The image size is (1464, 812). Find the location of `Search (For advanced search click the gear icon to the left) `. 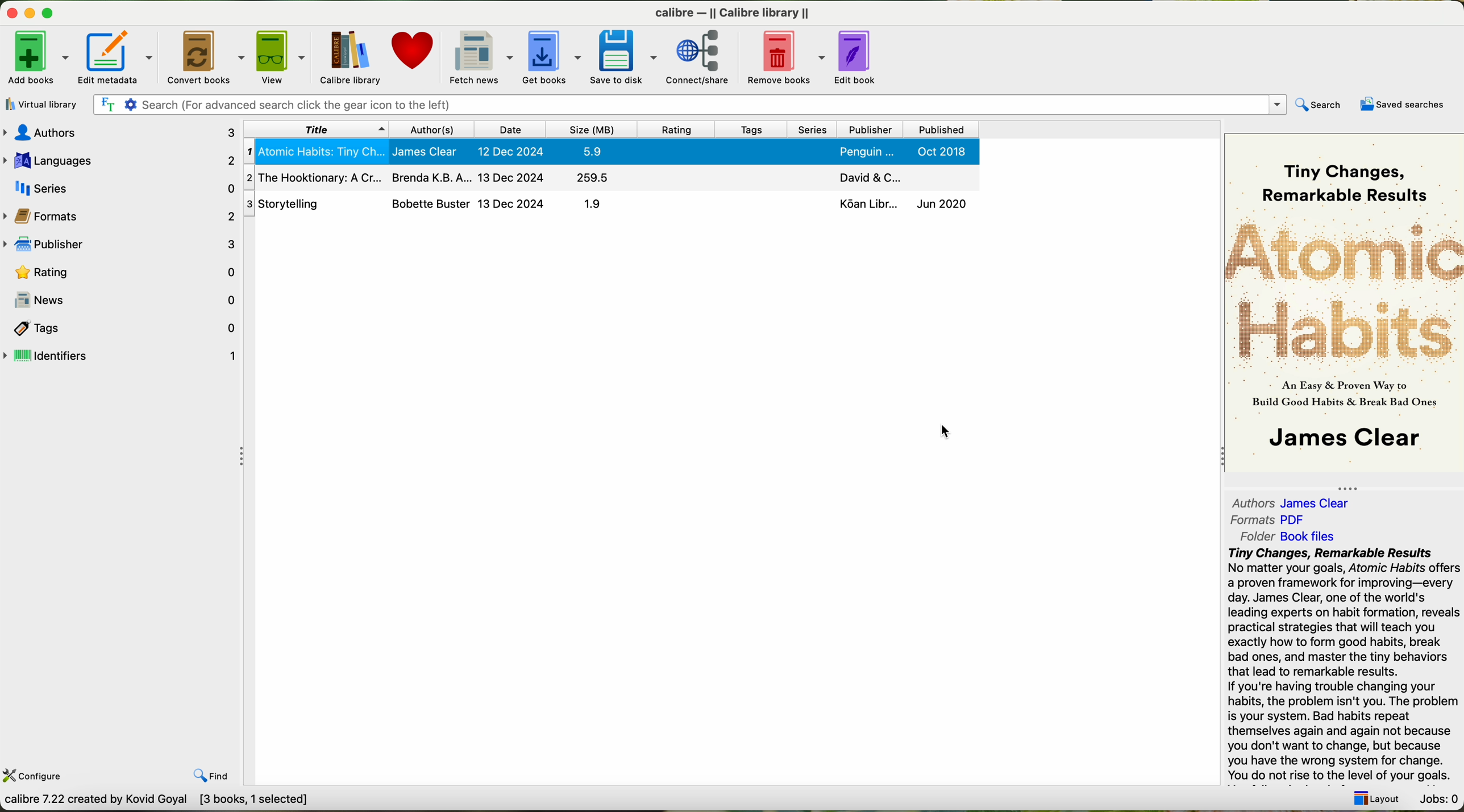

Search (For advanced search click the gear icon to the left)  is located at coordinates (691, 105).